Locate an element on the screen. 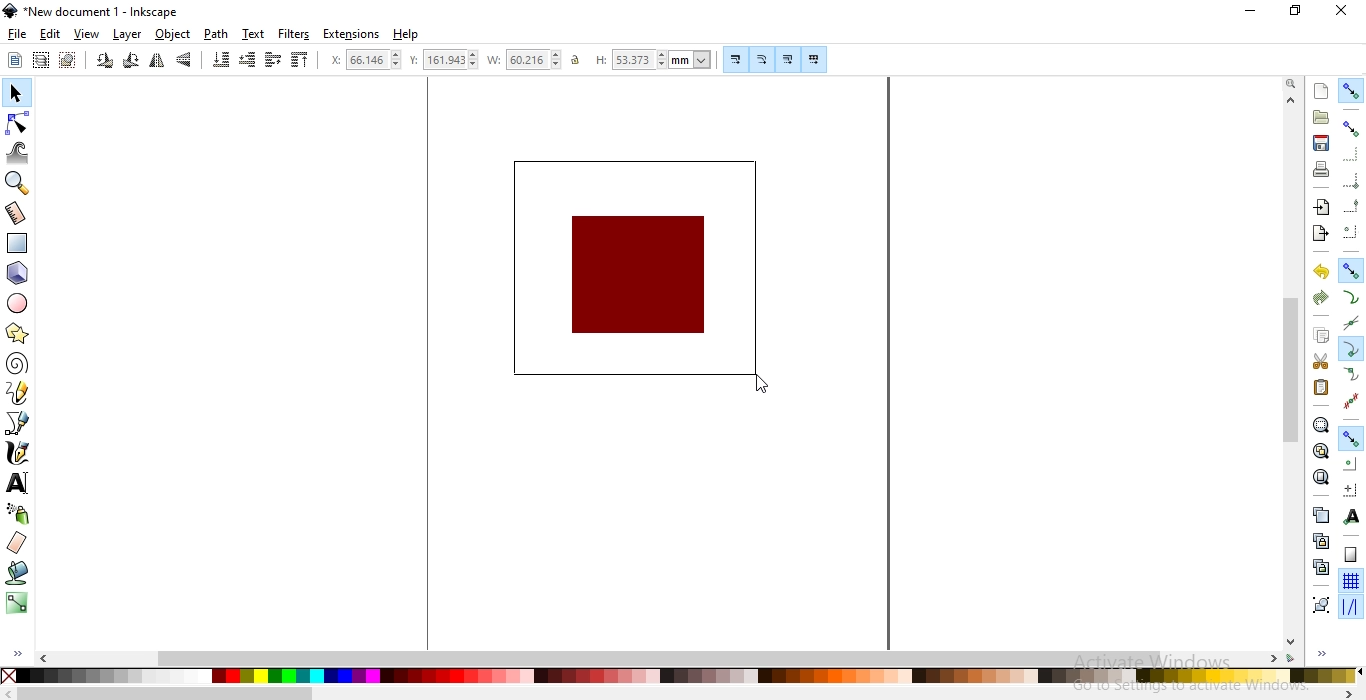 Image resolution: width=1366 pixels, height=700 pixels. file is located at coordinates (18, 35).